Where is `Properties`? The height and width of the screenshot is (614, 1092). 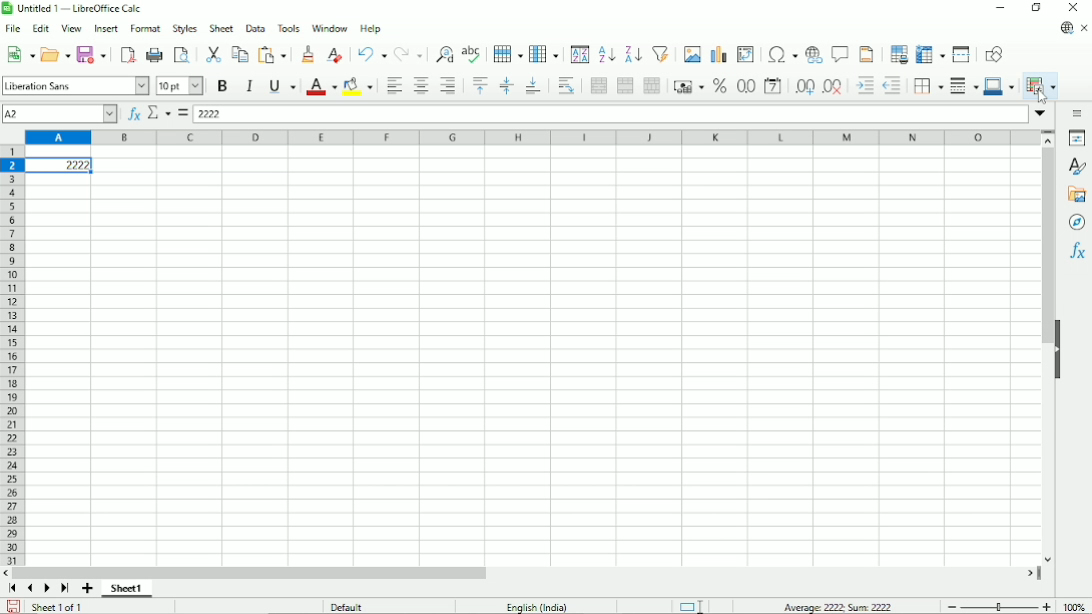
Properties is located at coordinates (1077, 138).